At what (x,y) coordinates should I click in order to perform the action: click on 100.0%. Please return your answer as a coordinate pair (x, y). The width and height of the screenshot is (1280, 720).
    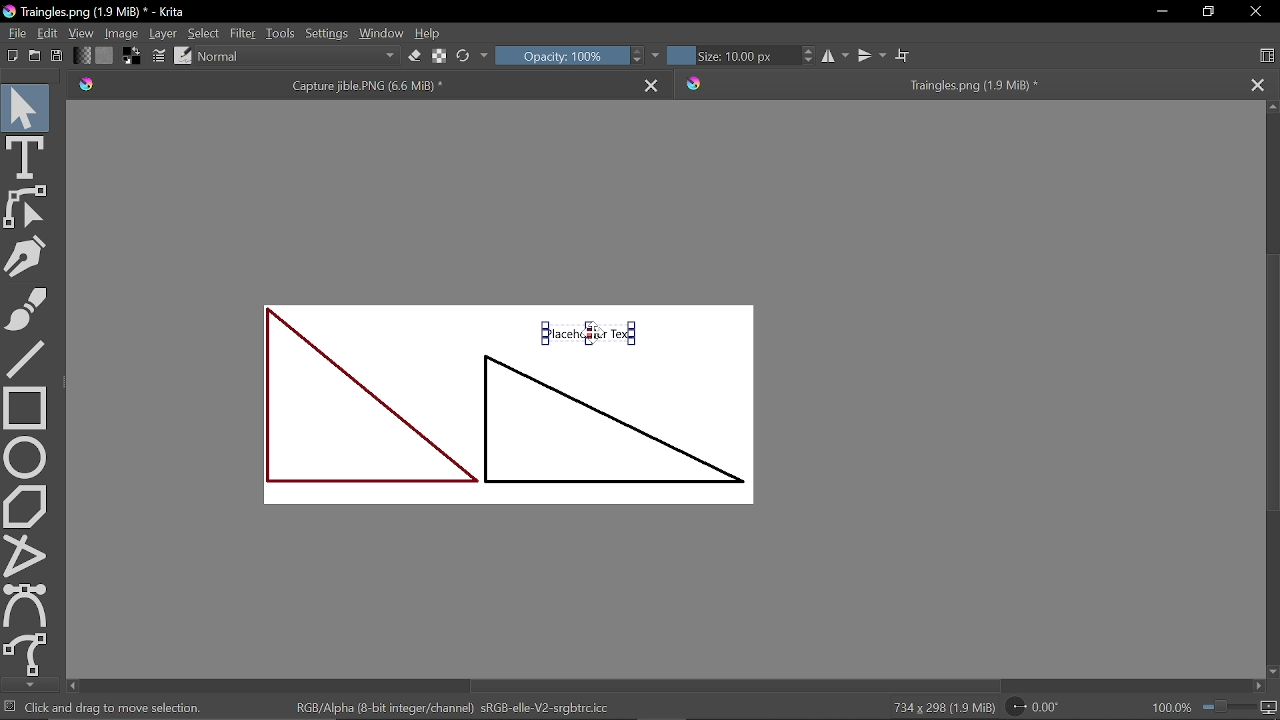
    Looking at the image, I should click on (1214, 706).